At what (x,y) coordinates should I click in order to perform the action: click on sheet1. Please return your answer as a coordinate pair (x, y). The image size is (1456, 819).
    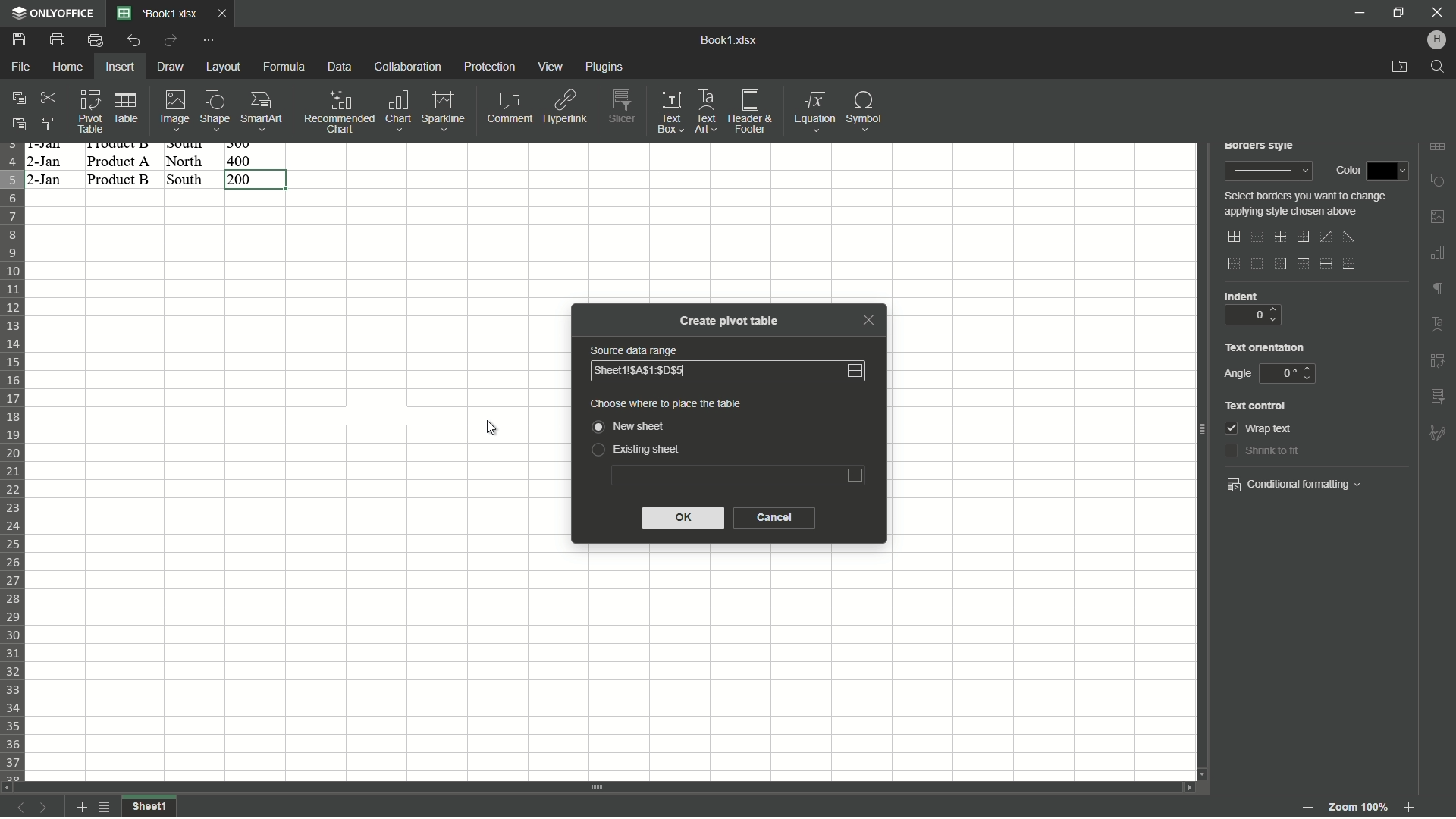
    Looking at the image, I should click on (151, 807).